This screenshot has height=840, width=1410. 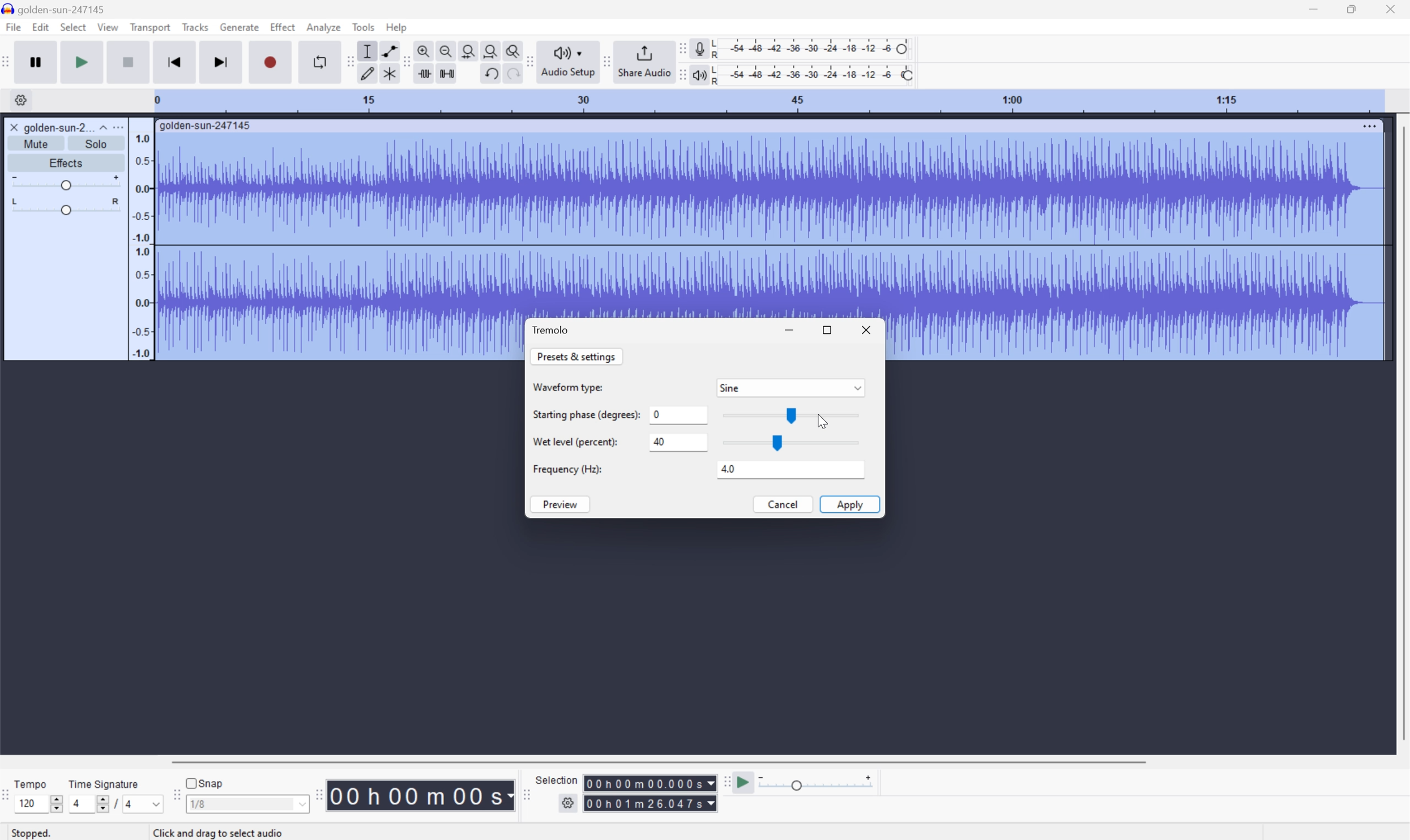 I want to click on 1/8, so click(x=246, y=804).